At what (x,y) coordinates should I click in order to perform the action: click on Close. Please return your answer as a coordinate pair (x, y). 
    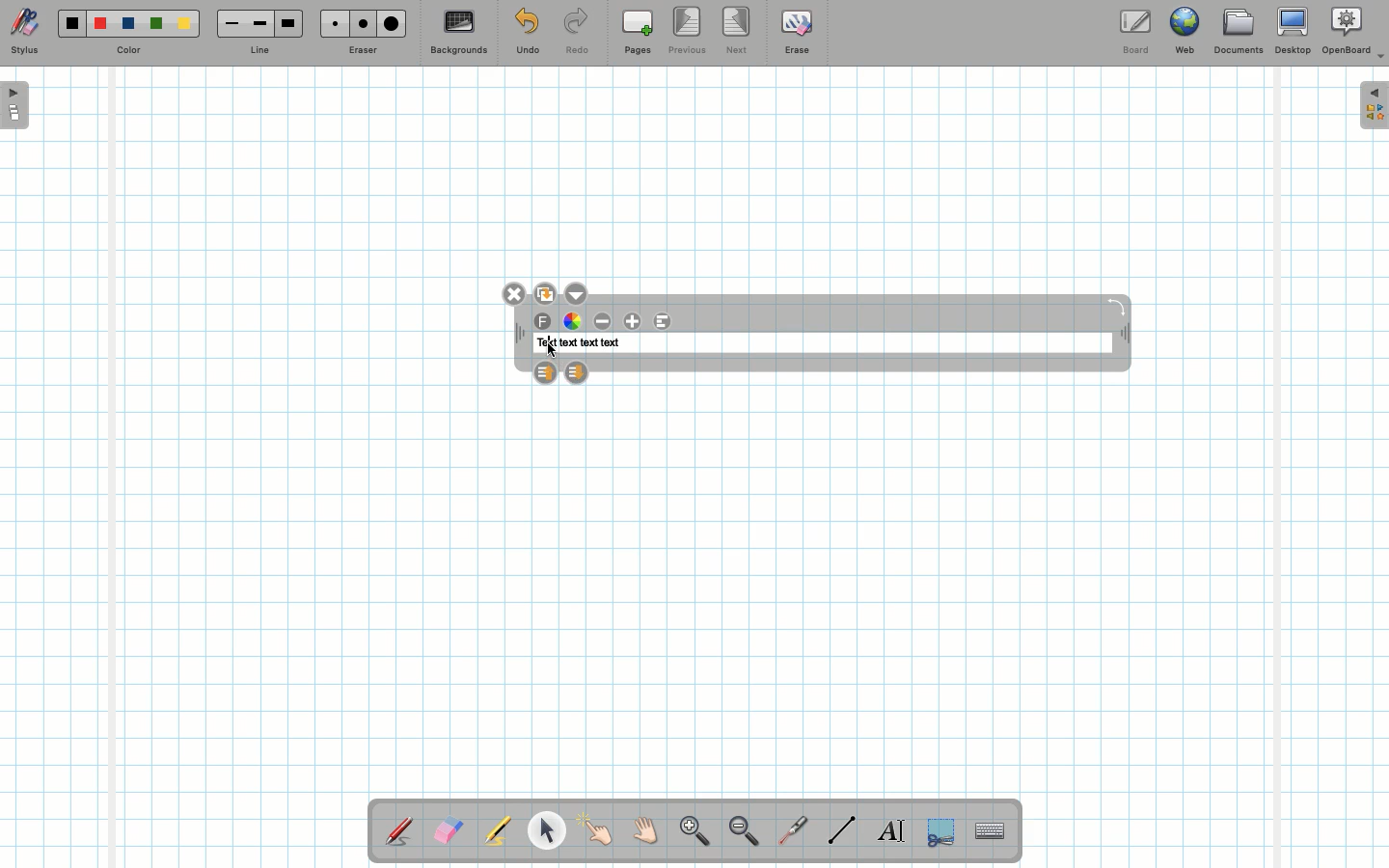
    Looking at the image, I should click on (515, 294).